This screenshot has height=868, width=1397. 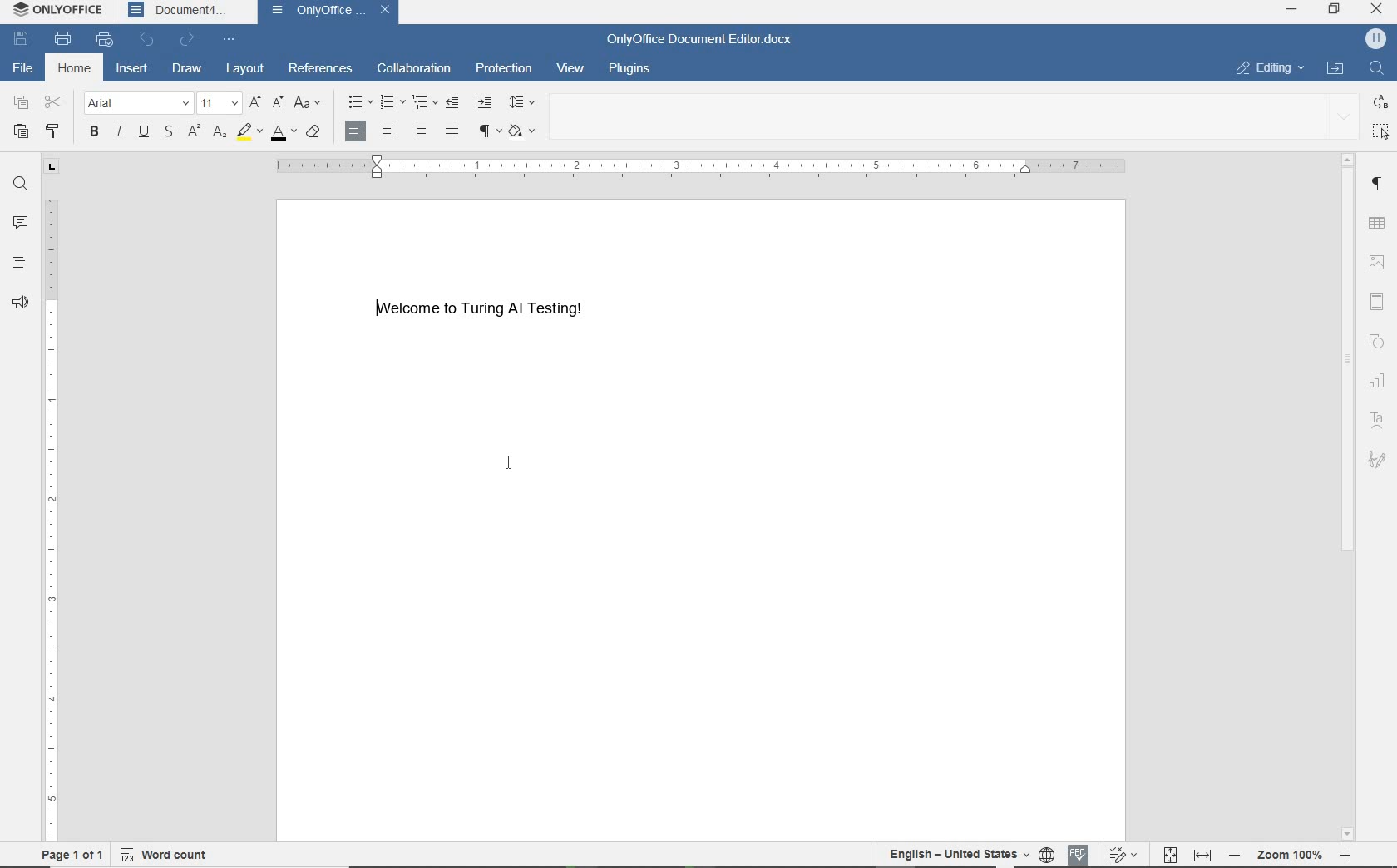 I want to click on collaboration, so click(x=415, y=70).